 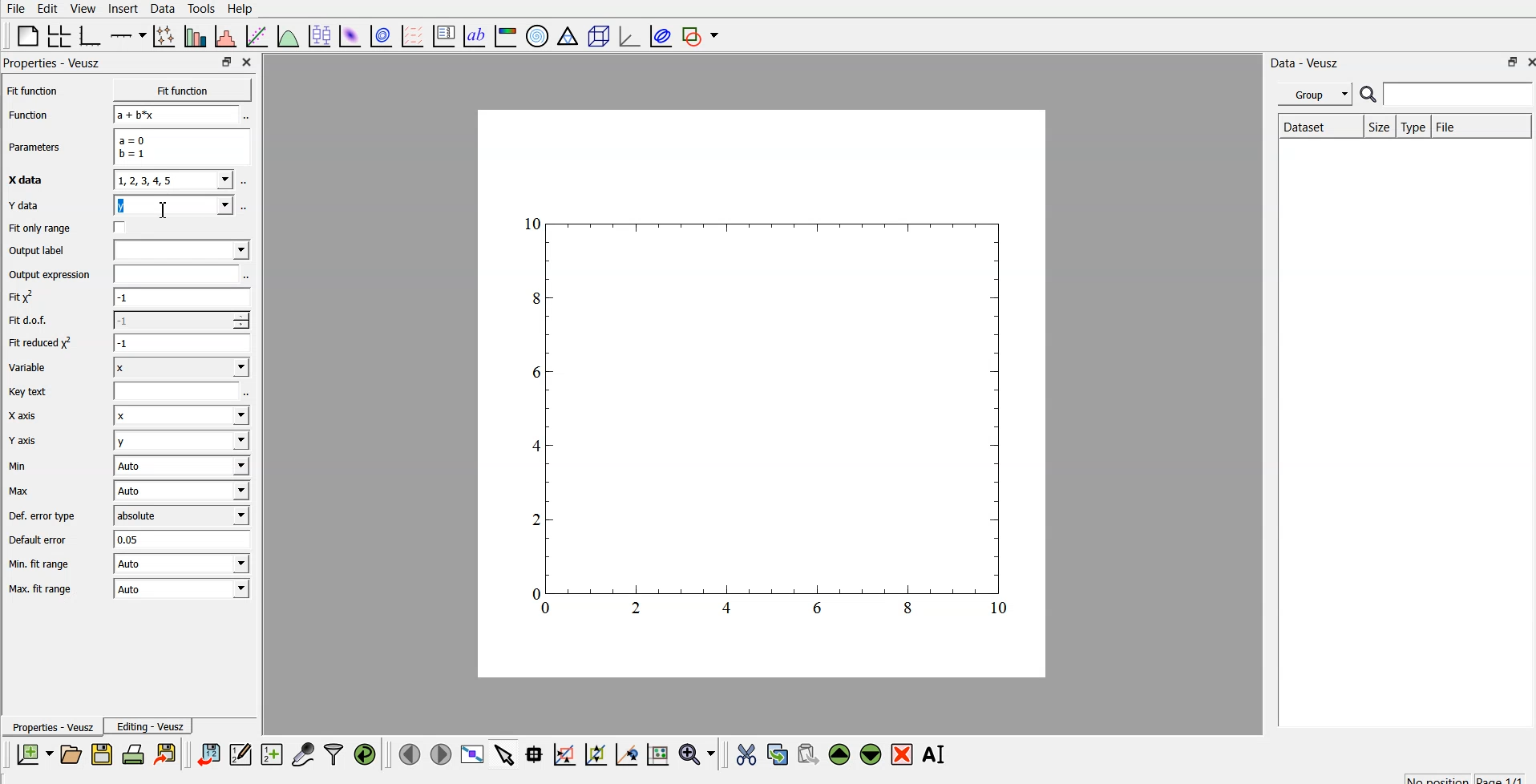 What do you see at coordinates (81, 8) in the screenshot?
I see `view` at bounding box center [81, 8].